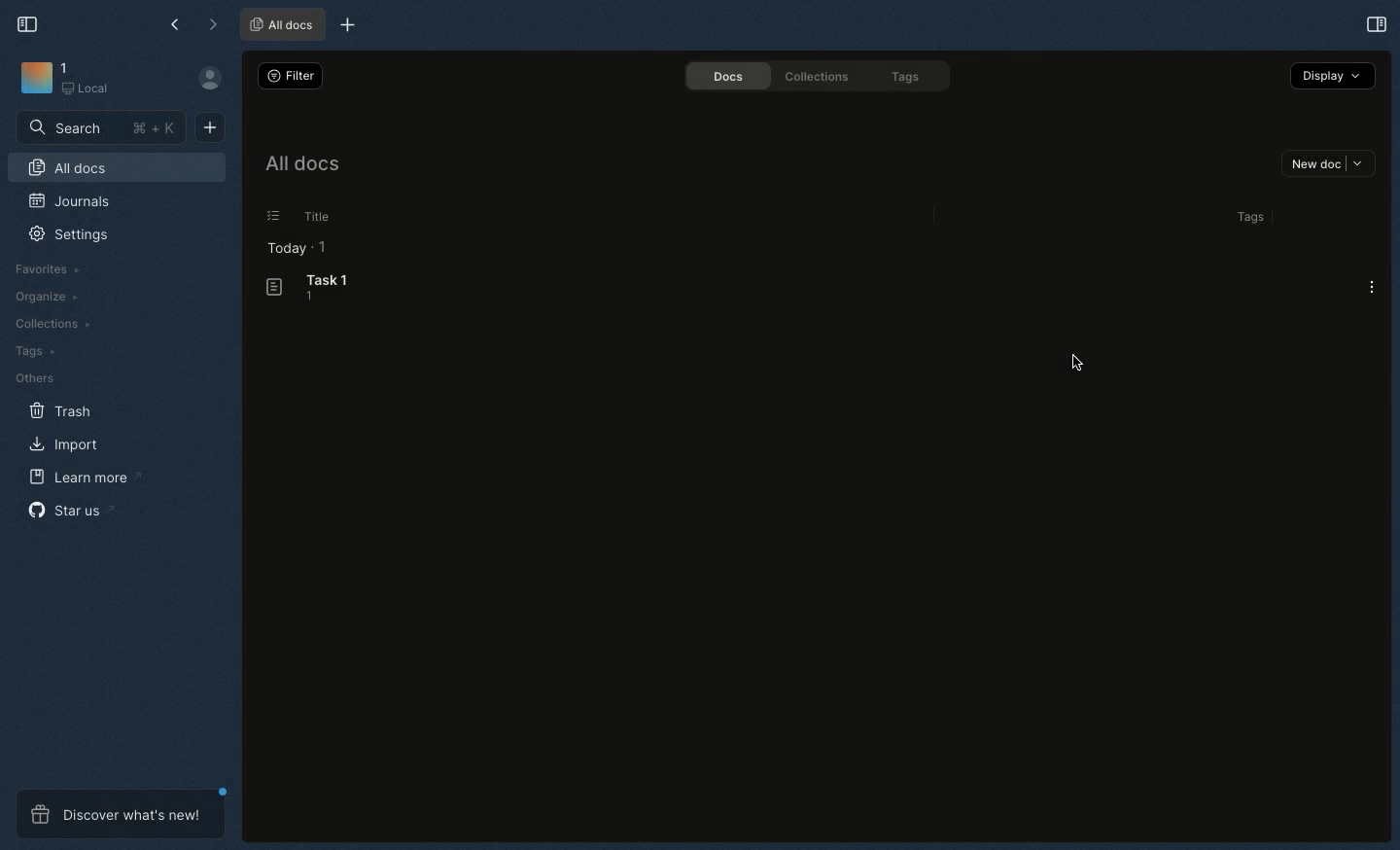  What do you see at coordinates (303, 165) in the screenshot?
I see `All docs` at bounding box center [303, 165].